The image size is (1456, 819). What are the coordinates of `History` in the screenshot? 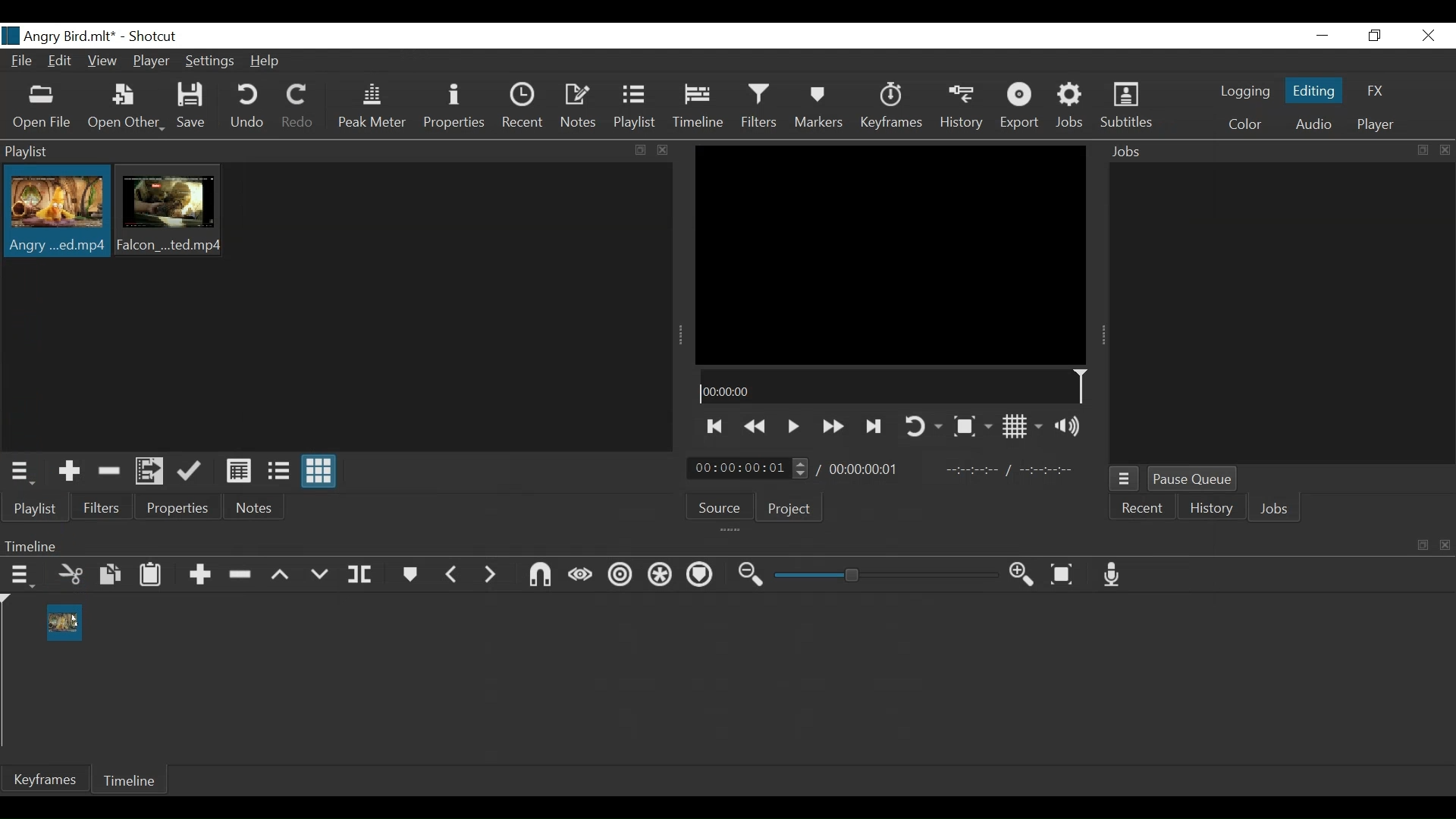 It's located at (965, 107).